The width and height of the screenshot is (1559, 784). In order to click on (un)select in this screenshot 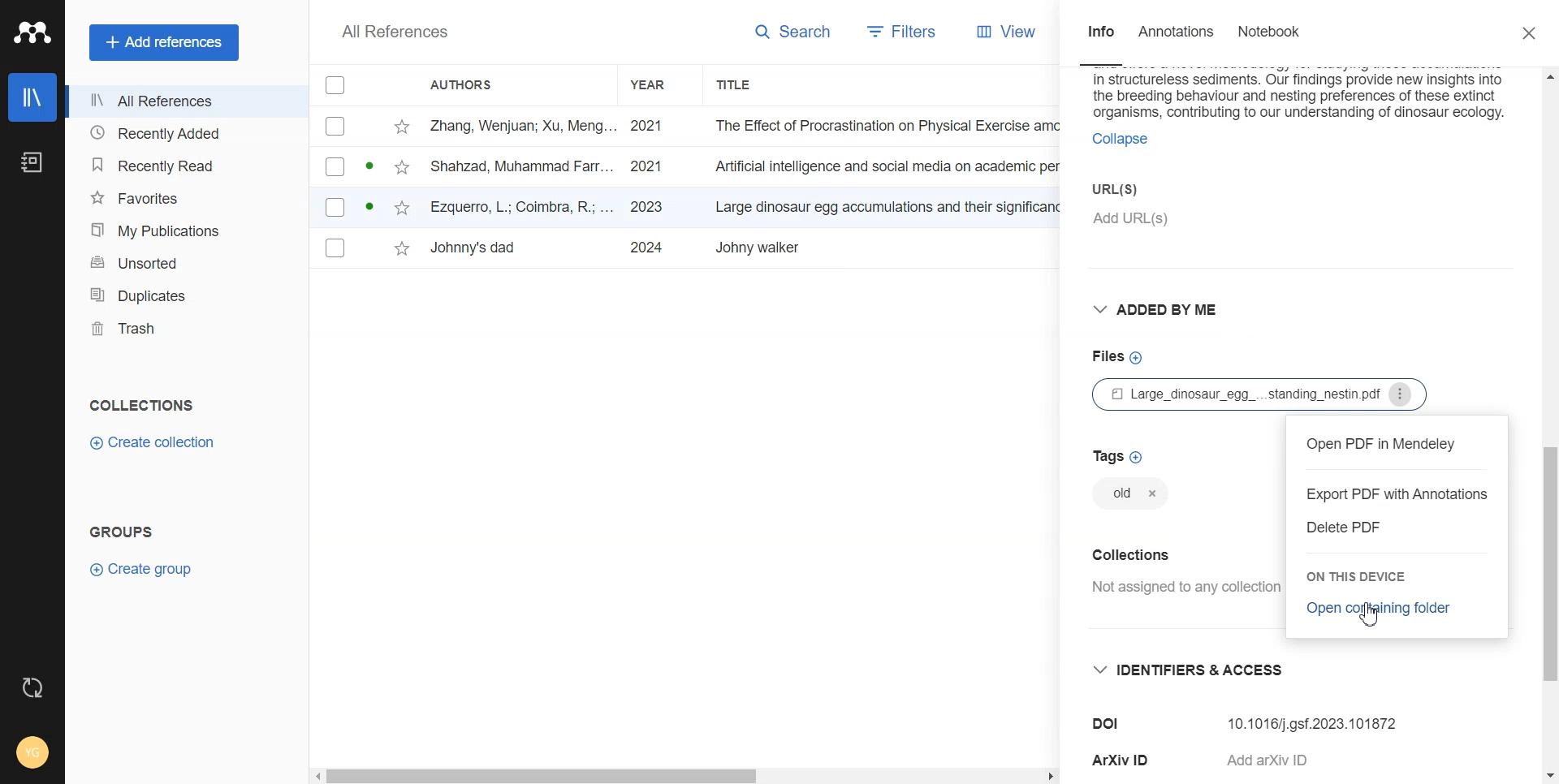, I will do `click(335, 209)`.